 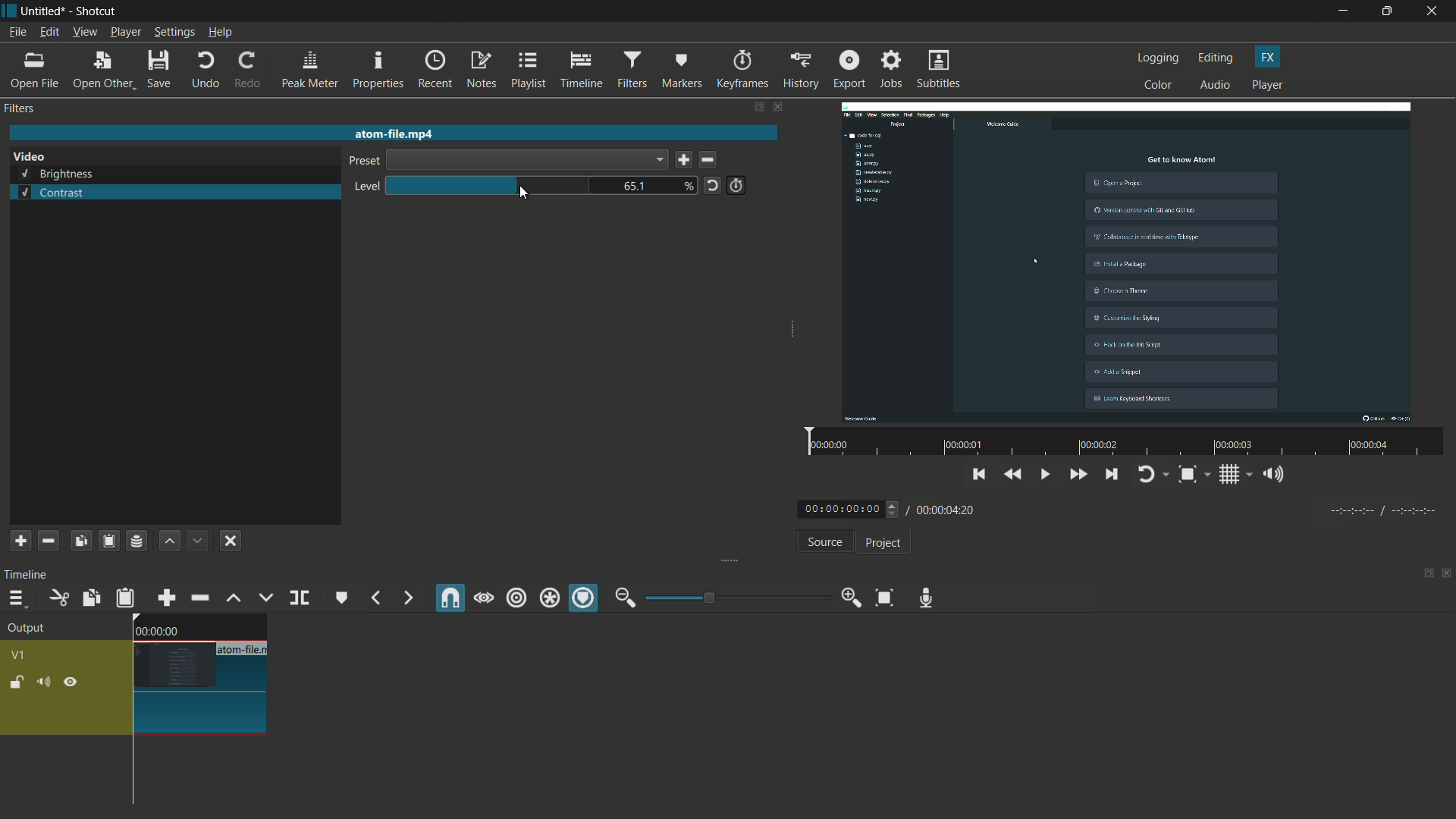 I want to click on color, so click(x=1159, y=84).